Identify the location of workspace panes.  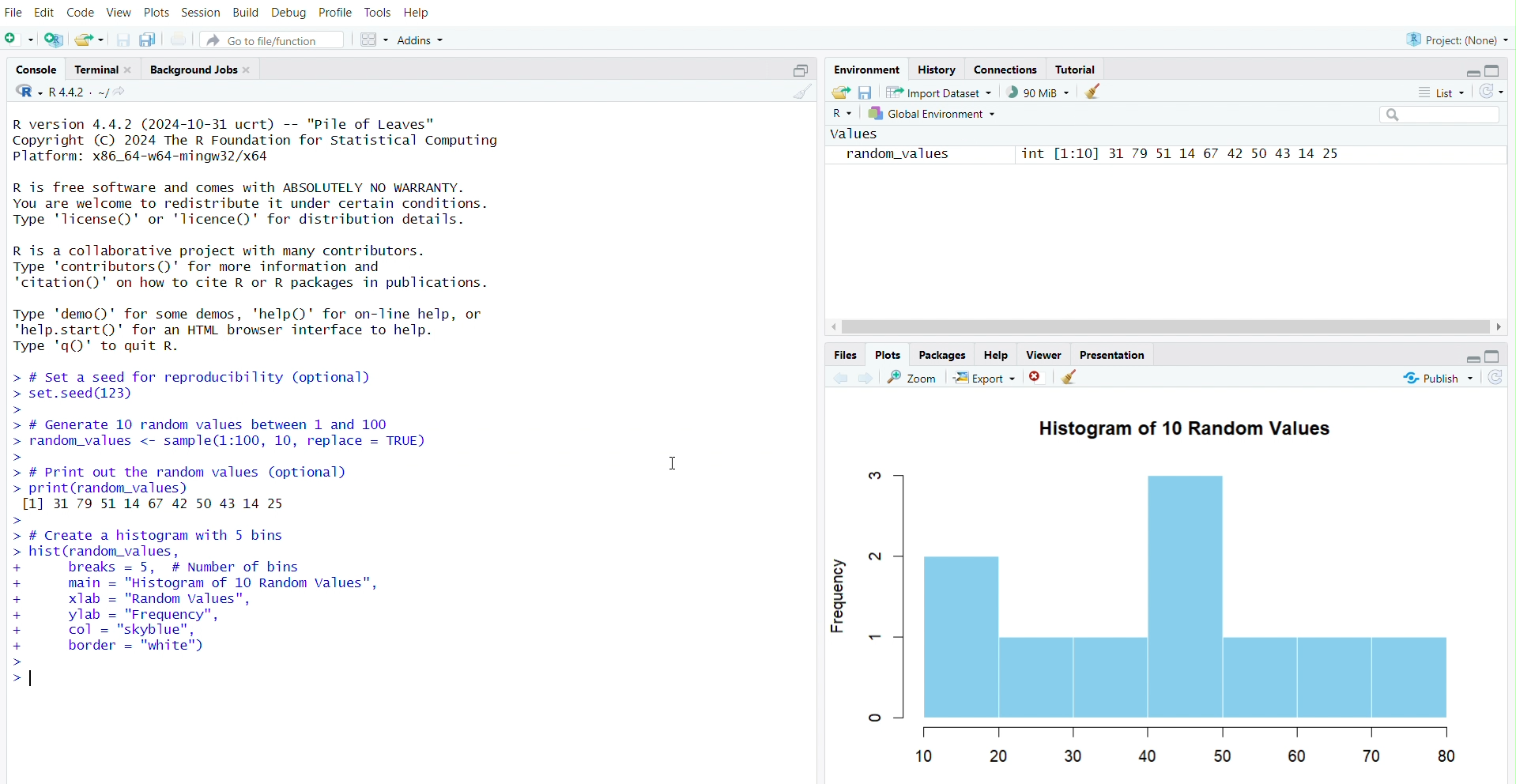
(375, 37).